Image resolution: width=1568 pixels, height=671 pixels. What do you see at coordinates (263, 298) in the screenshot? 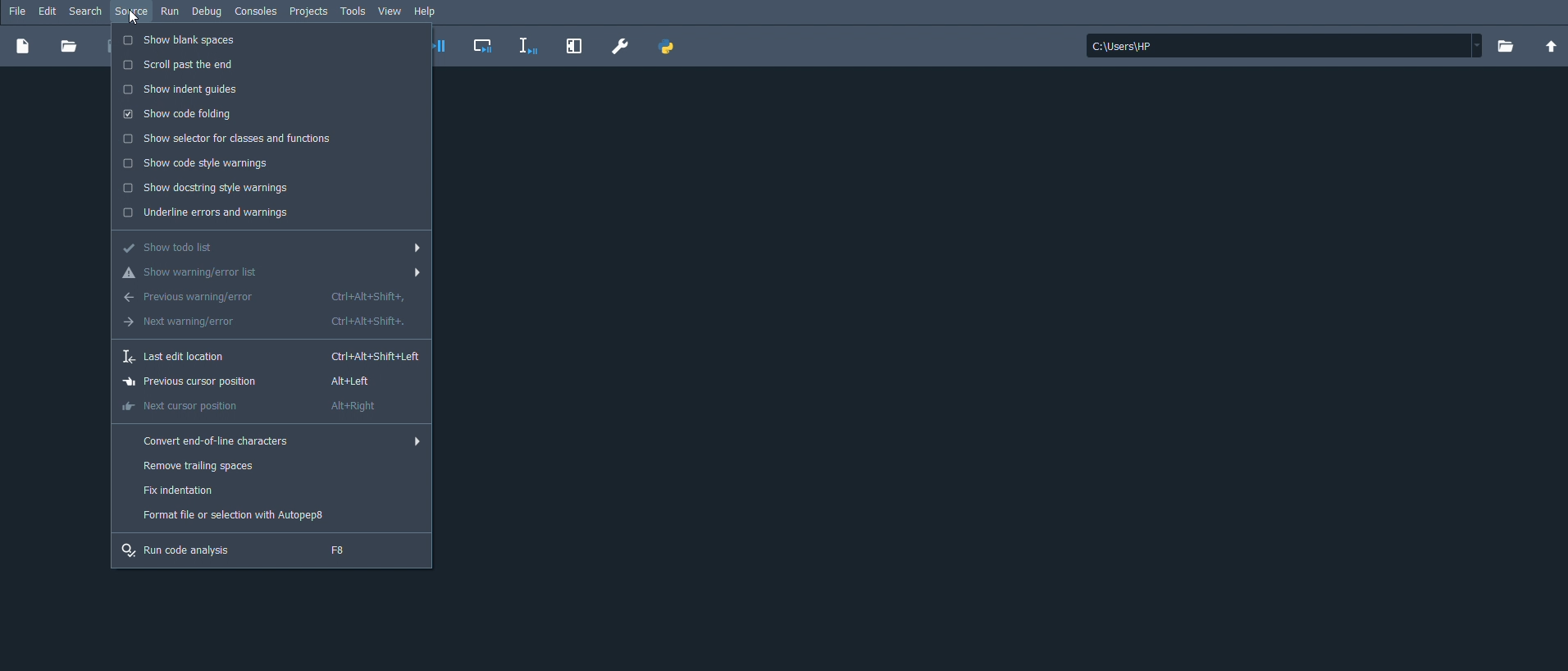
I see `Previous warning/error` at bounding box center [263, 298].